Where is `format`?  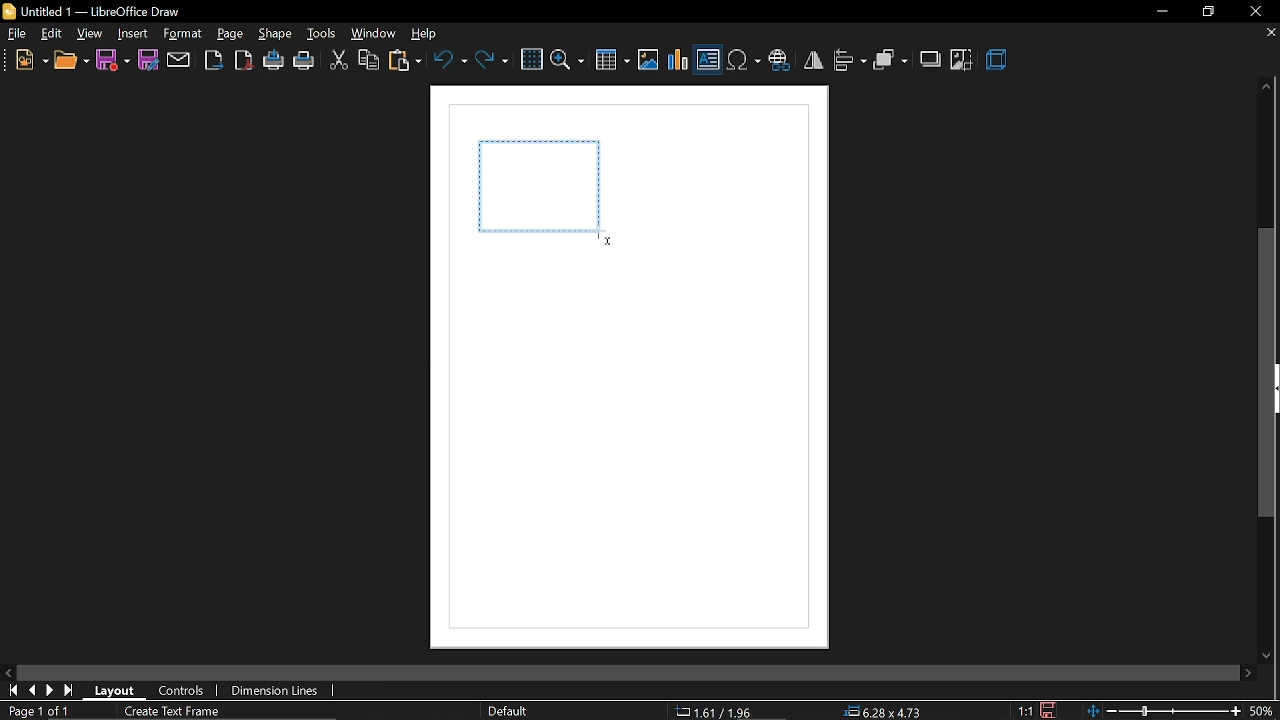 format is located at coordinates (182, 33).